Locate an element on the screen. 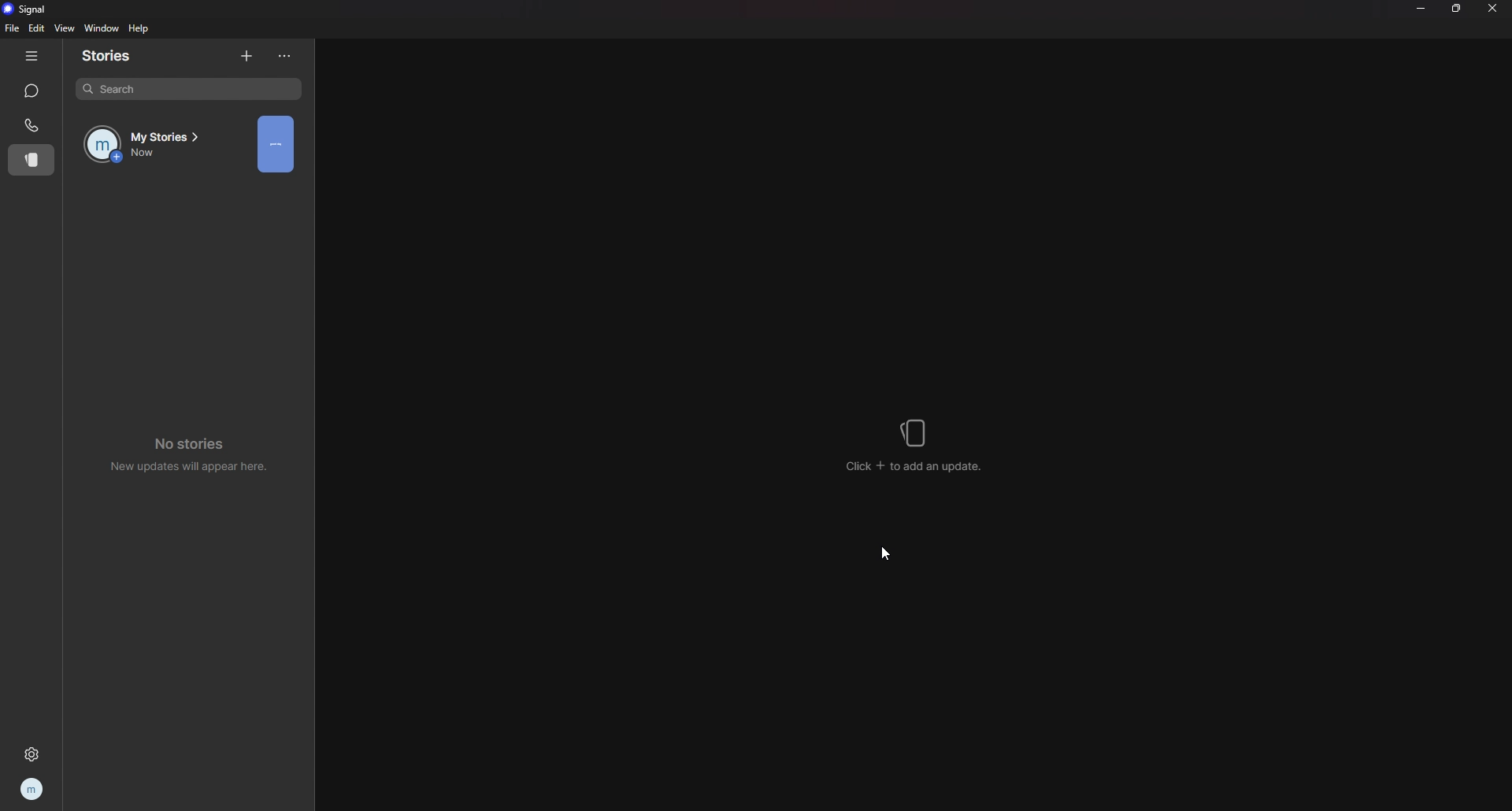 Image resolution: width=1512 pixels, height=811 pixels. close is located at coordinates (1493, 8).